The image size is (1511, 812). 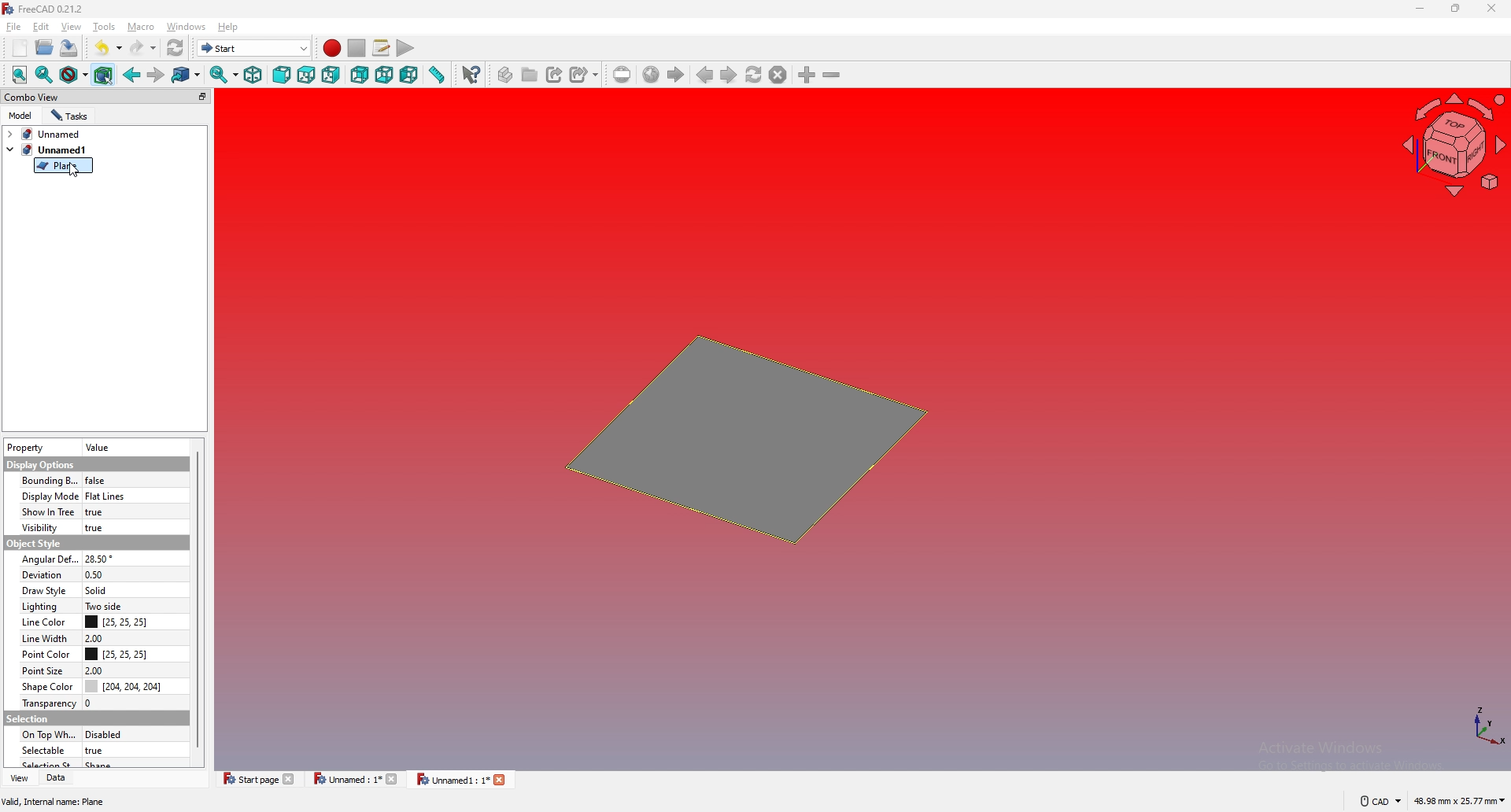 What do you see at coordinates (144, 48) in the screenshot?
I see `redo` at bounding box center [144, 48].